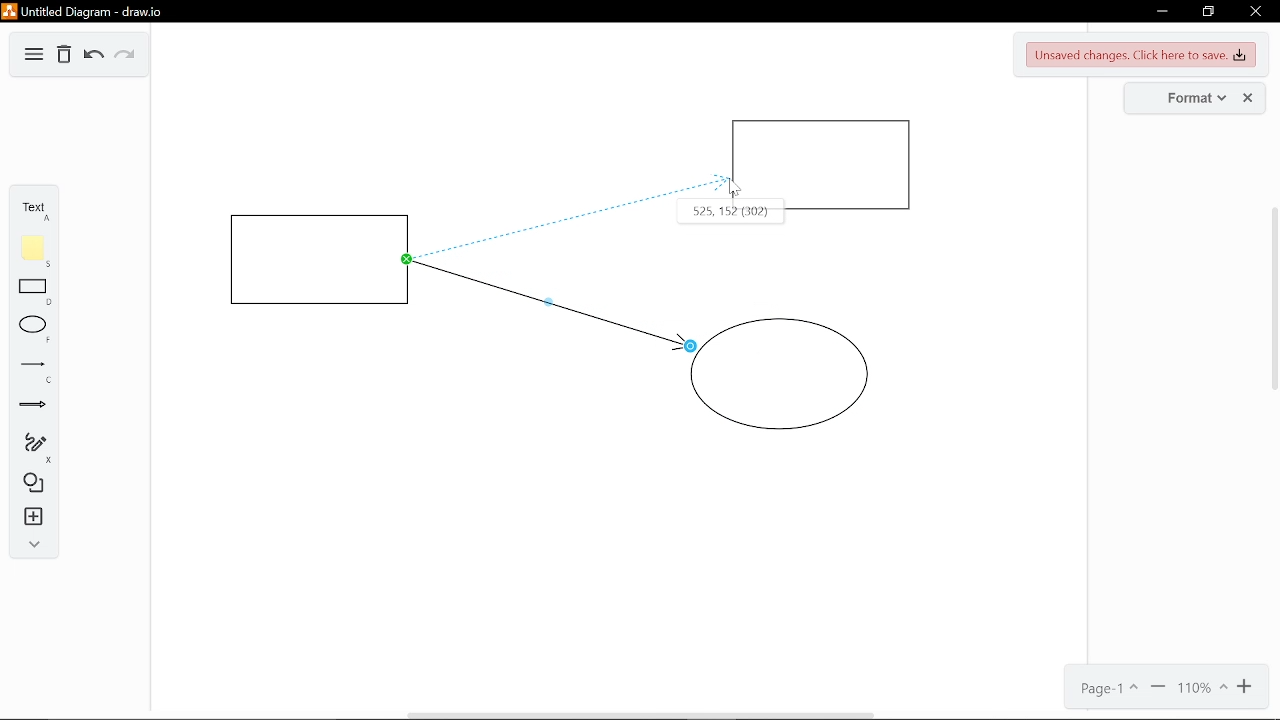 This screenshot has width=1280, height=720. Describe the element at coordinates (1249, 687) in the screenshot. I see `Zoom in` at that location.